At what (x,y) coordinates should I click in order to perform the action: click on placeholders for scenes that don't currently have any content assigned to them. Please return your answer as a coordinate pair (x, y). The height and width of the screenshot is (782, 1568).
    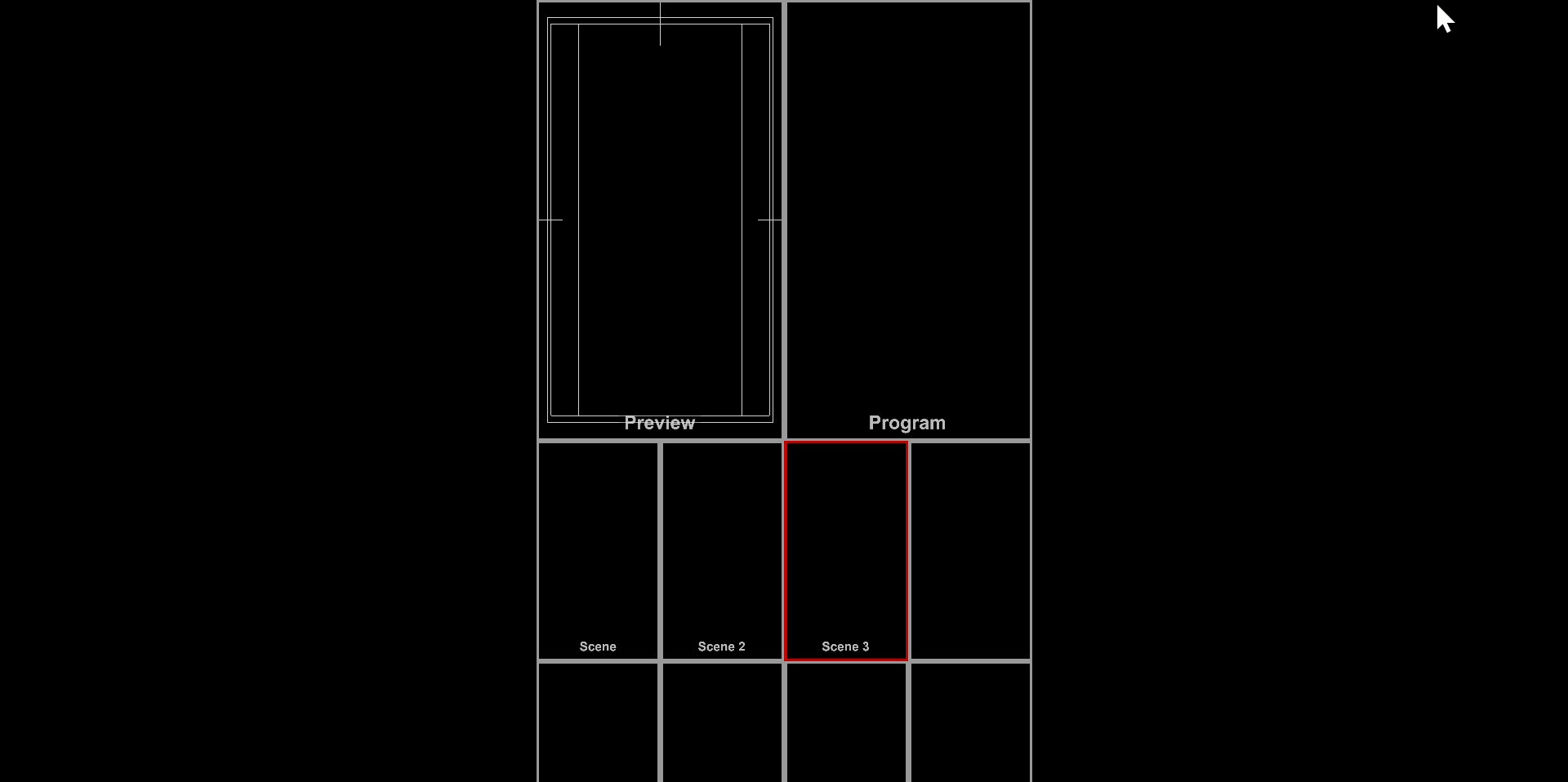
    Looking at the image, I should click on (973, 722).